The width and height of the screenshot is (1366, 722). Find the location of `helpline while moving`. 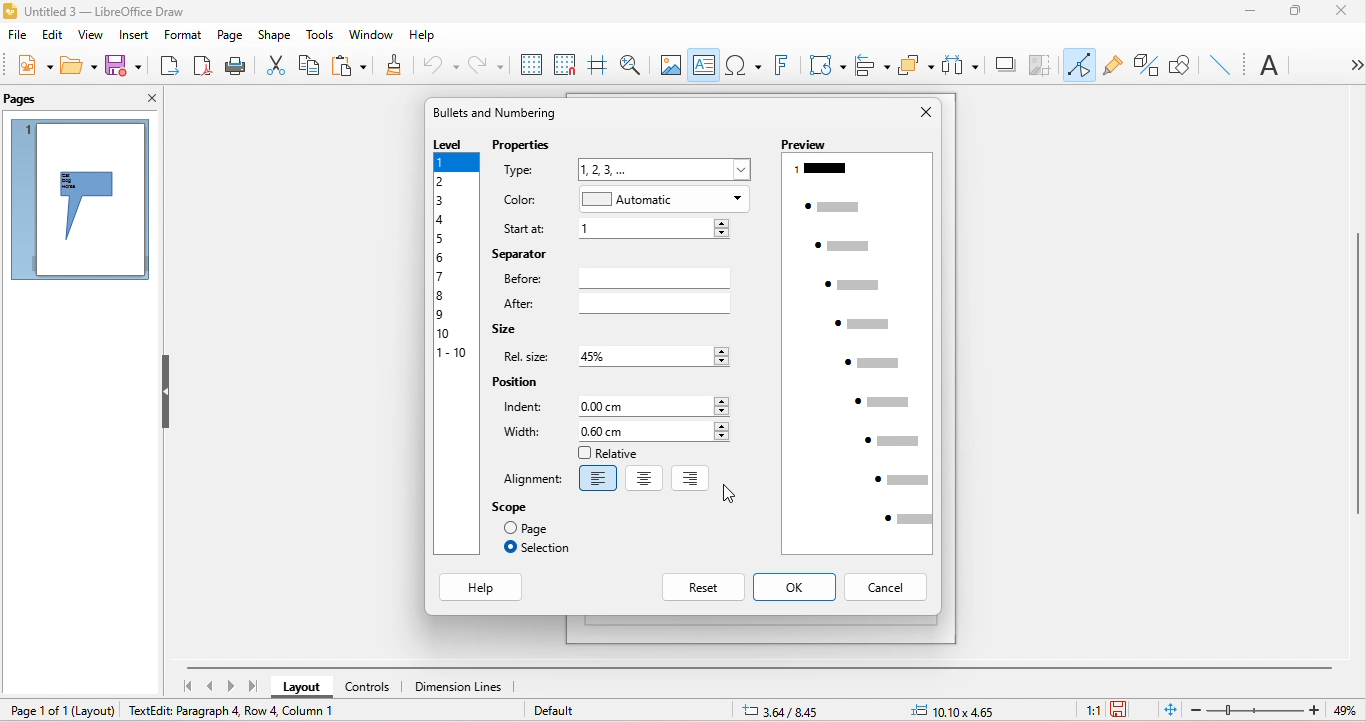

helpline while moving is located at coordinates (598, 67).